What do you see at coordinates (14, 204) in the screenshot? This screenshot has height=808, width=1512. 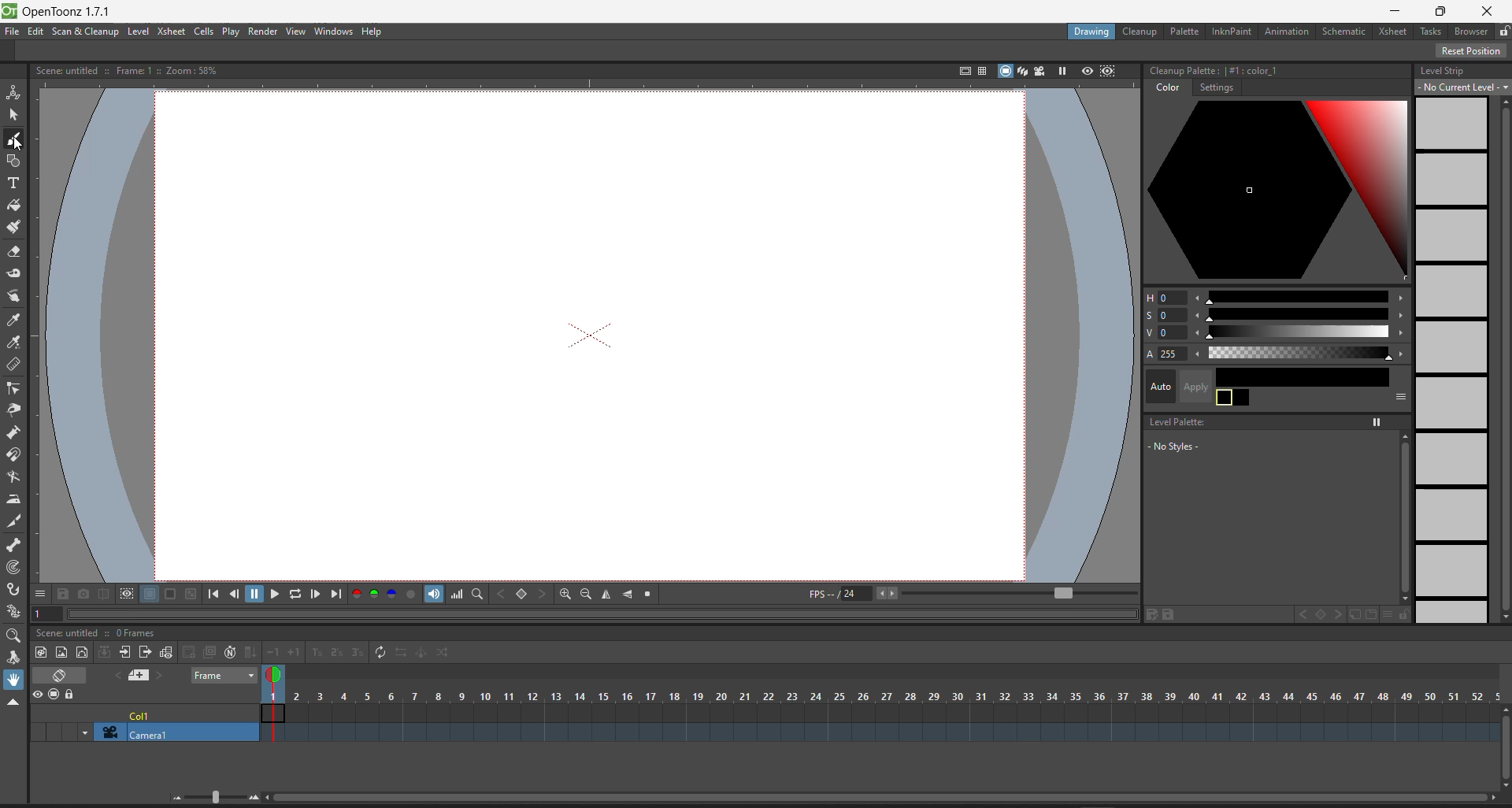 I see `fill tool` at bounding box center [14, 204].